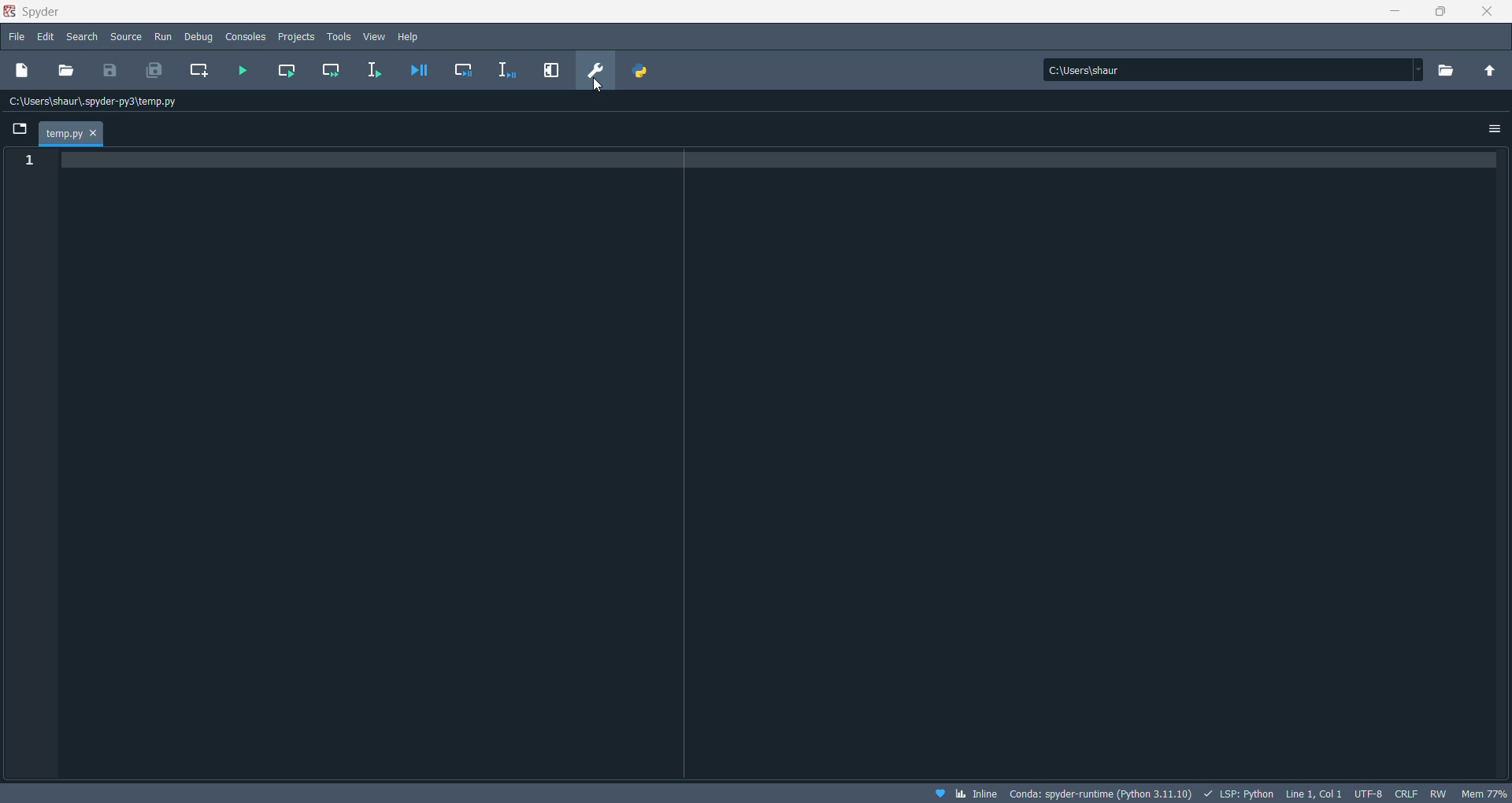 The height and width of the screenshot is (803, 1512). What do you see at coordinates (1480, 13) in the screenshot?
I see `close` at bounding box center [1480, 13].